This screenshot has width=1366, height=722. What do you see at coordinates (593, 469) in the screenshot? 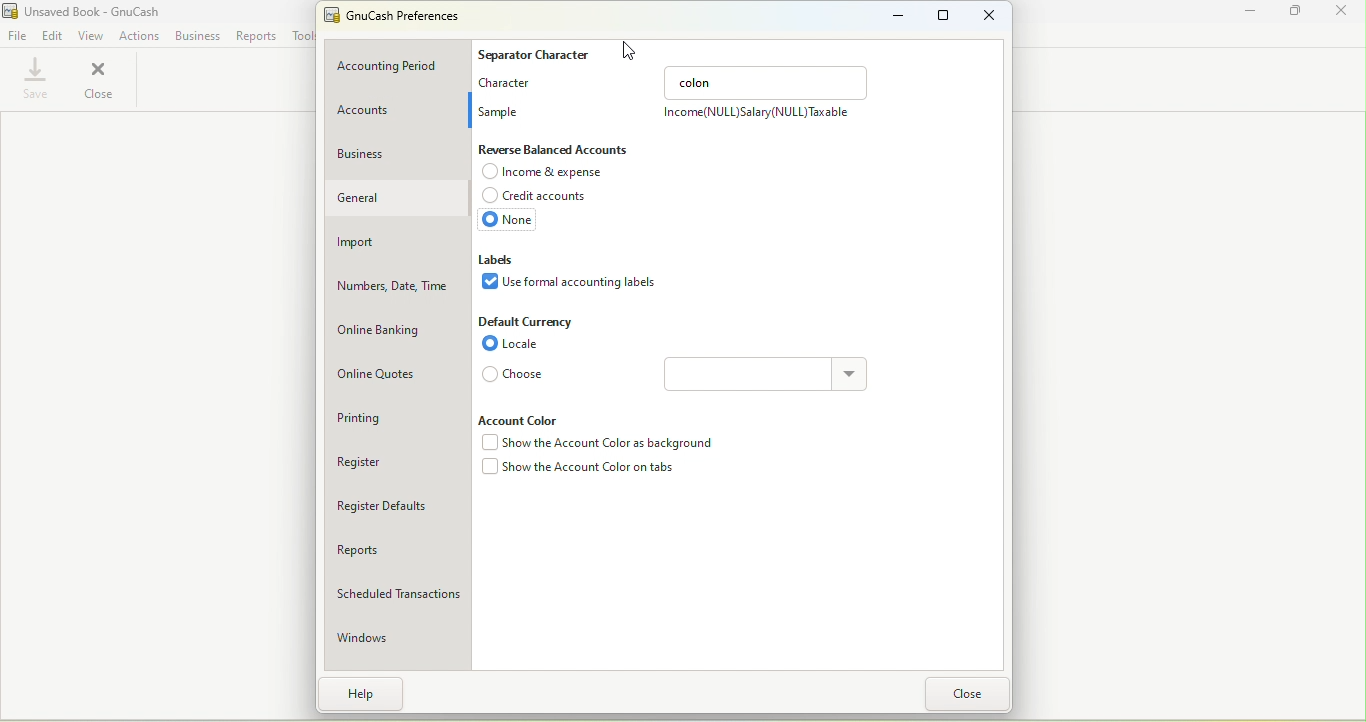
I see `Show the account color on tabs` at bounding box center [593, 469].